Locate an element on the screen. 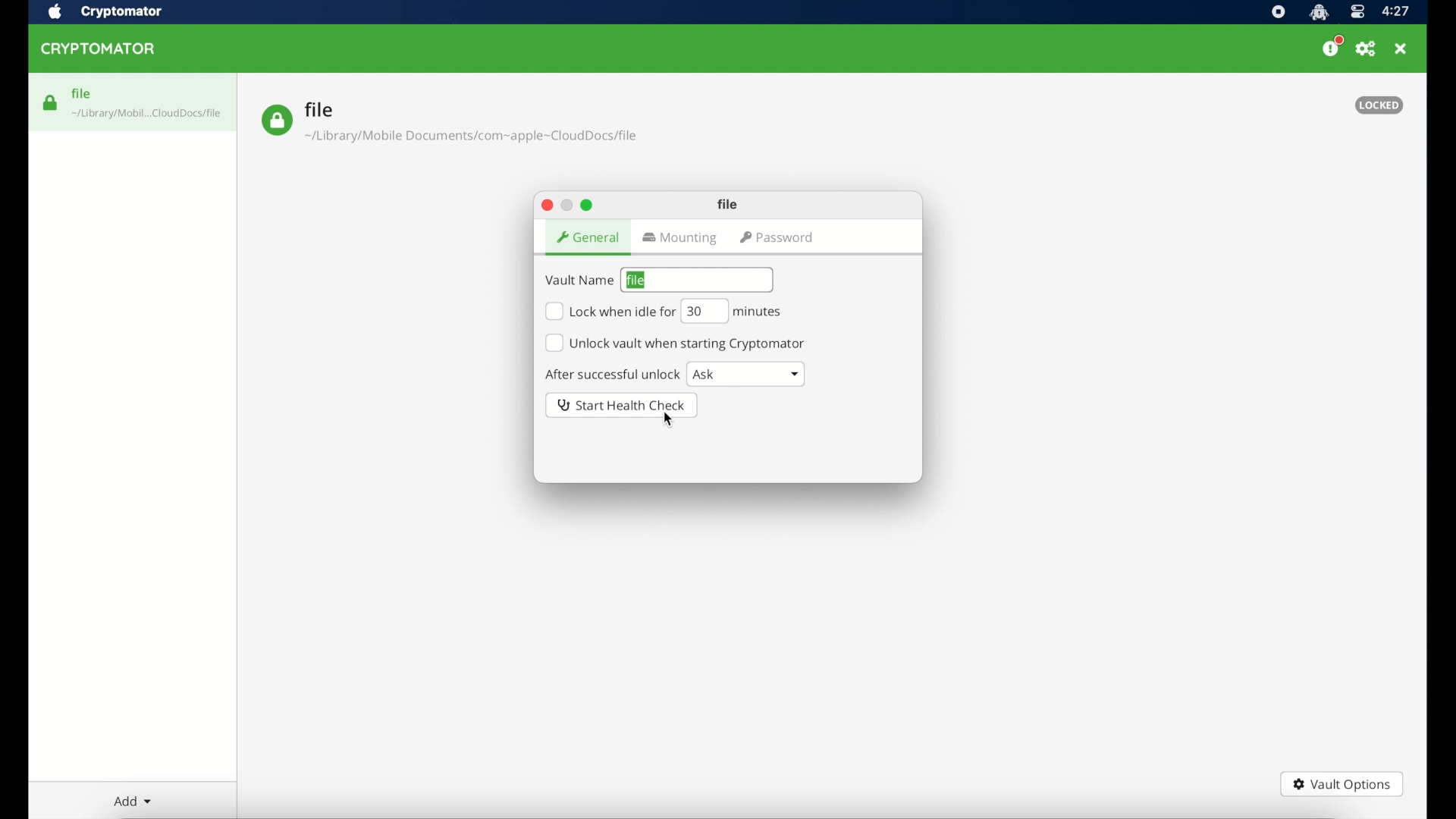 Image resolution: width=1456 pixels, height=819 pixels. password is located at coordinates (780, 238).